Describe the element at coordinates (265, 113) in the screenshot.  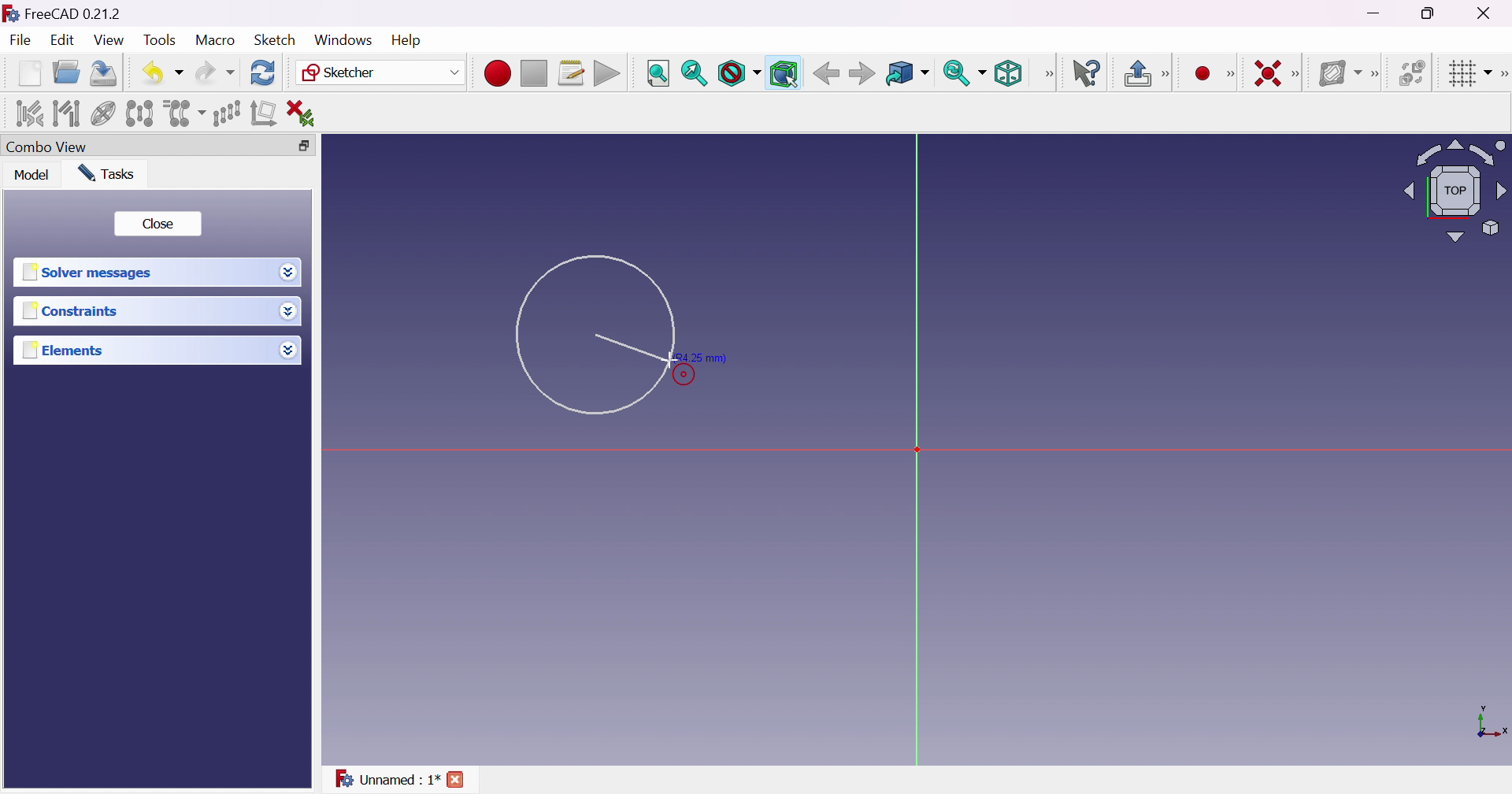
I see `Remove axes alignment` at that location.